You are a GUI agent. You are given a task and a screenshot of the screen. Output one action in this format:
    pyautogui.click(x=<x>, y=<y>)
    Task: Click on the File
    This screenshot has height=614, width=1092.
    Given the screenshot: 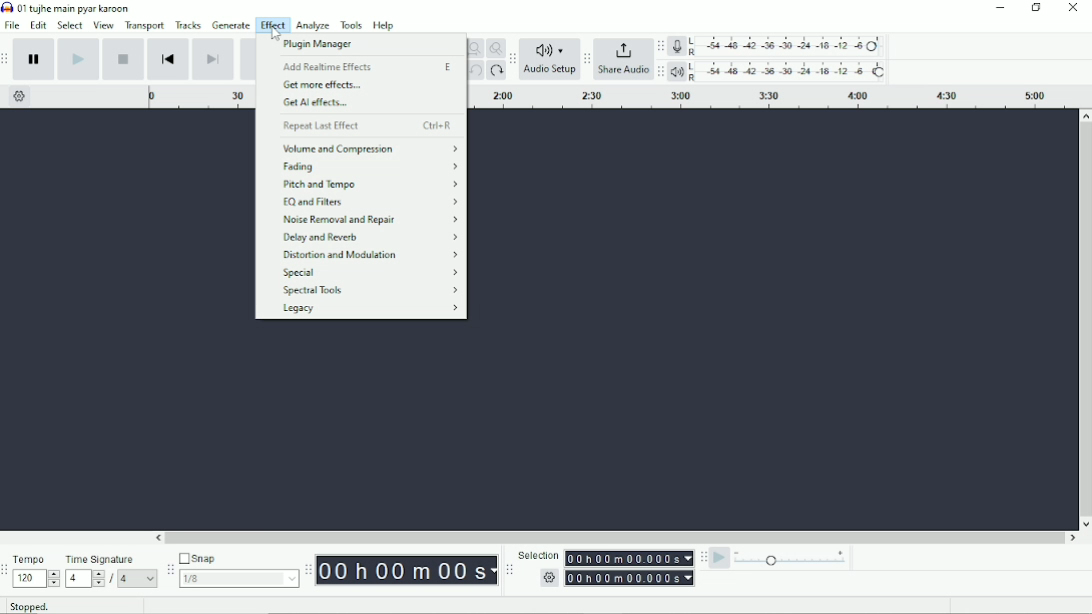 What is the action you would take?
    pyautogui.click(x=14, y=25)
    